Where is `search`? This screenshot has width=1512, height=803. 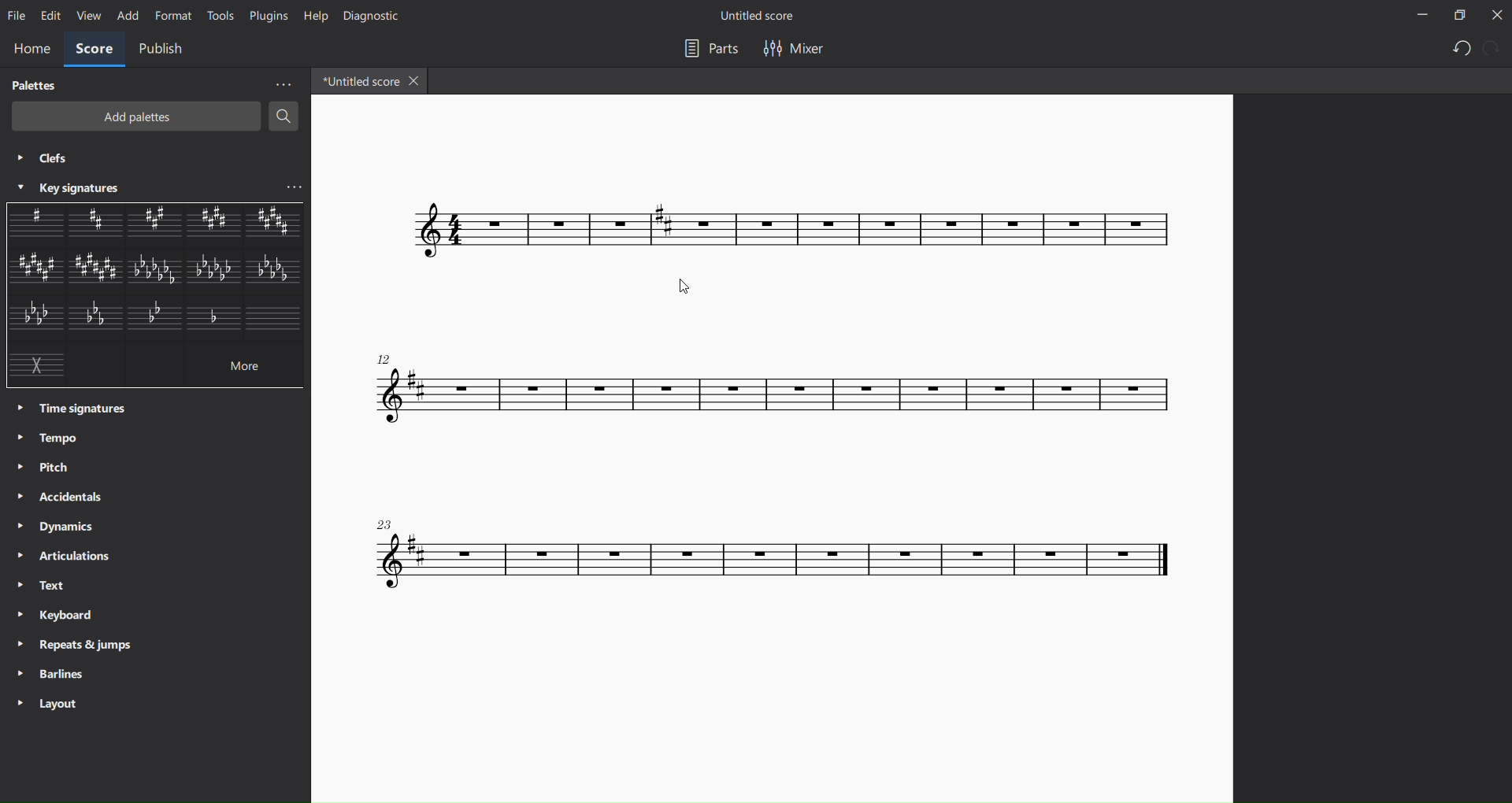 search is located at coordinates (283, 115).